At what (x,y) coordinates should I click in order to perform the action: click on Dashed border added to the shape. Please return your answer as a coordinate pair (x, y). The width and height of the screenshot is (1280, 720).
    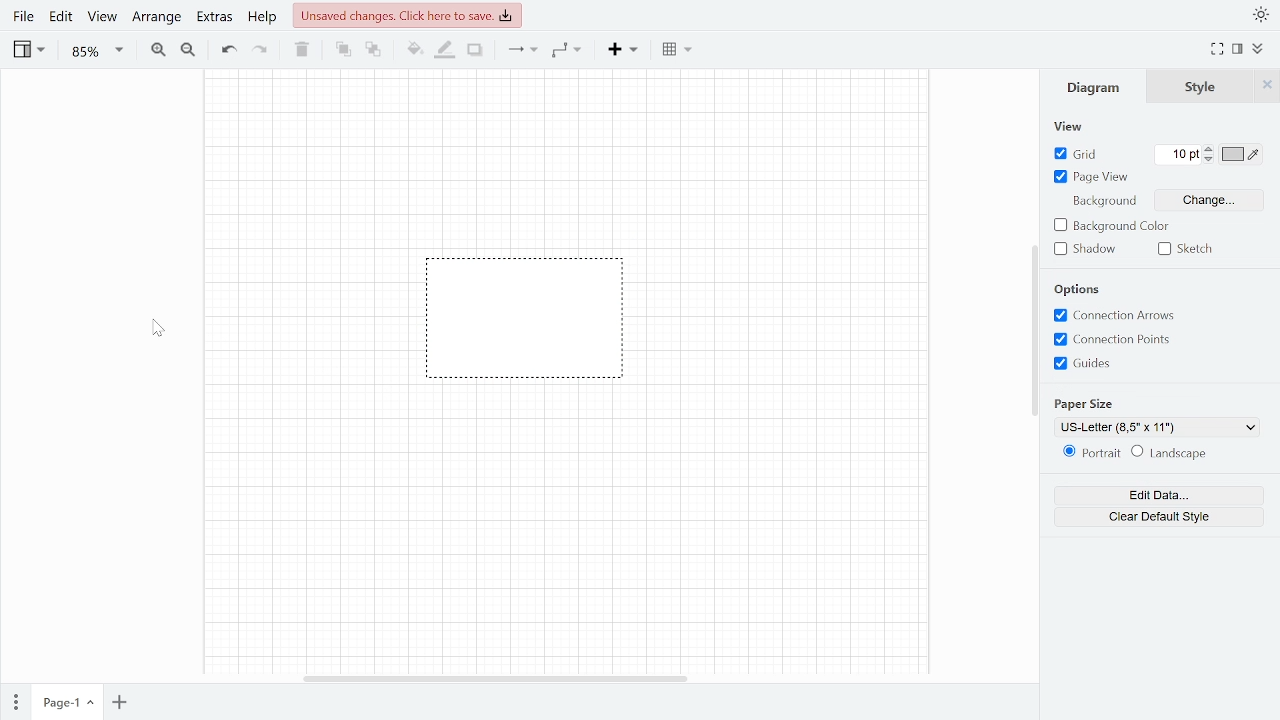
    Looking at the image, I should click on (529, 326).